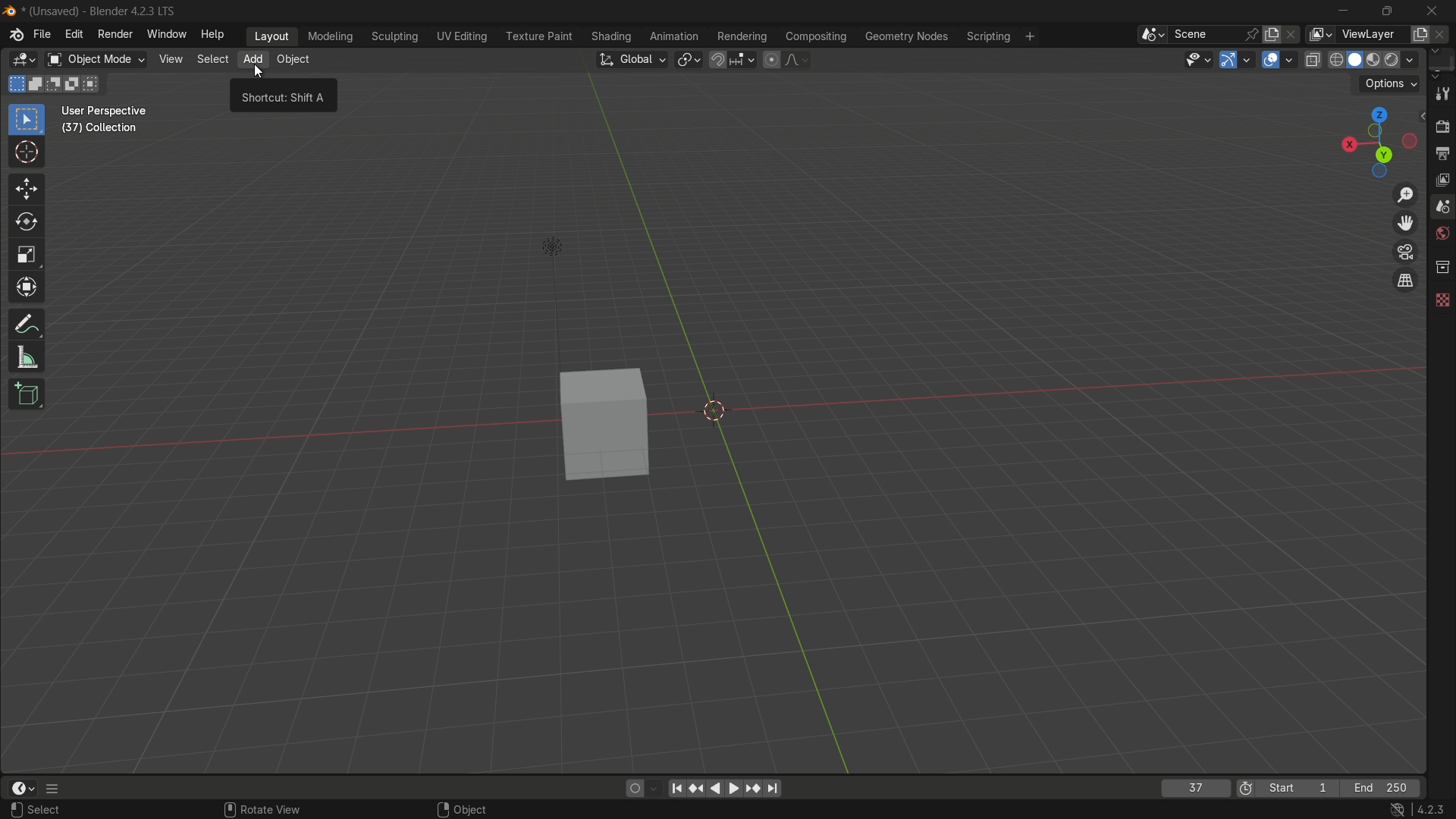  What do you see at coordinates (1150, 35) in the screenshot?
I see `browse scene` at bounding box center [1150, 35].